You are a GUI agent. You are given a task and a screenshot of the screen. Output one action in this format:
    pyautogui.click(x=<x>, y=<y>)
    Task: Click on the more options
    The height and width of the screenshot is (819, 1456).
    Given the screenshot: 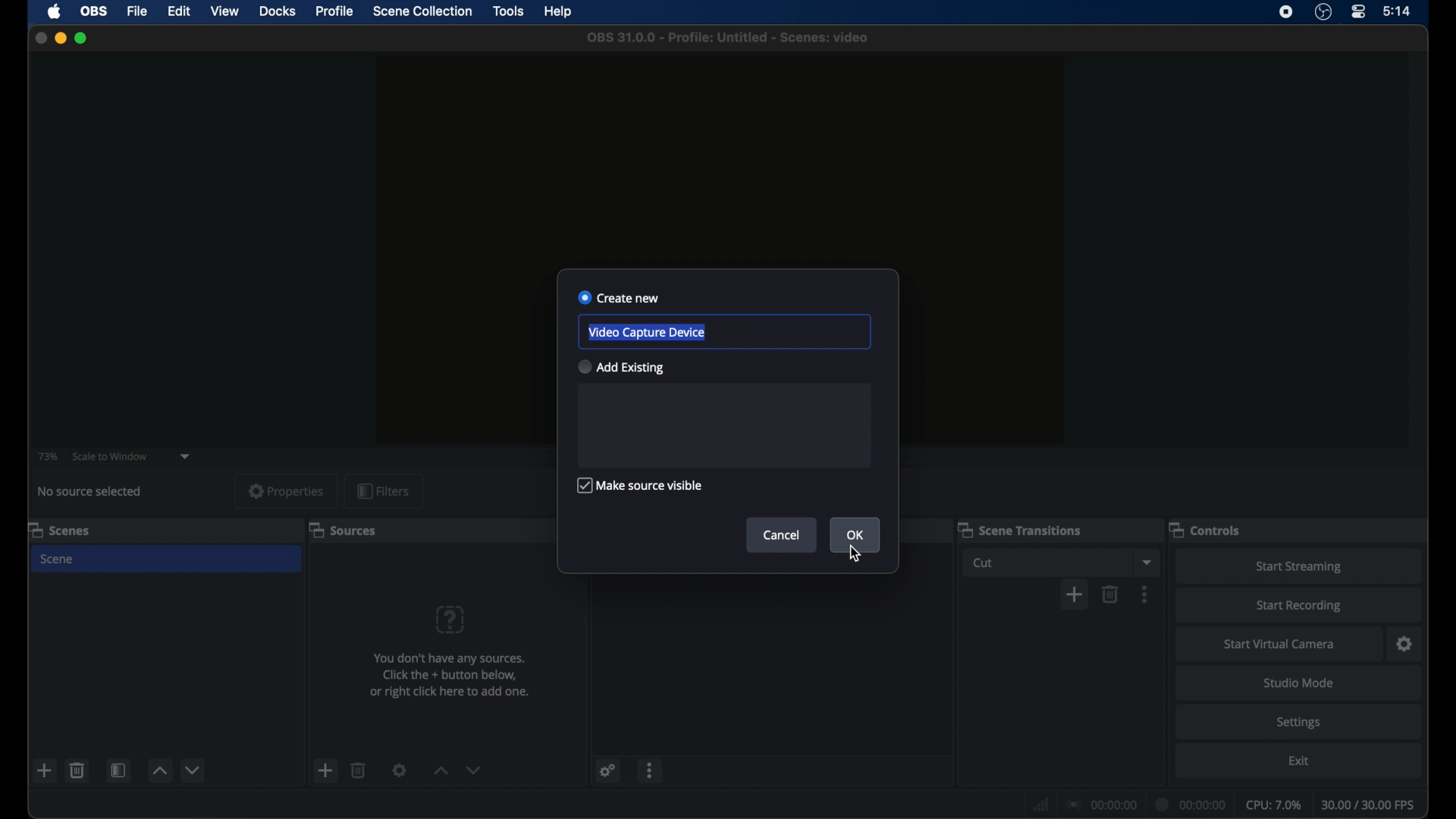 What is the action you would take?
    pyautogui.click(x=651, y=770)
    